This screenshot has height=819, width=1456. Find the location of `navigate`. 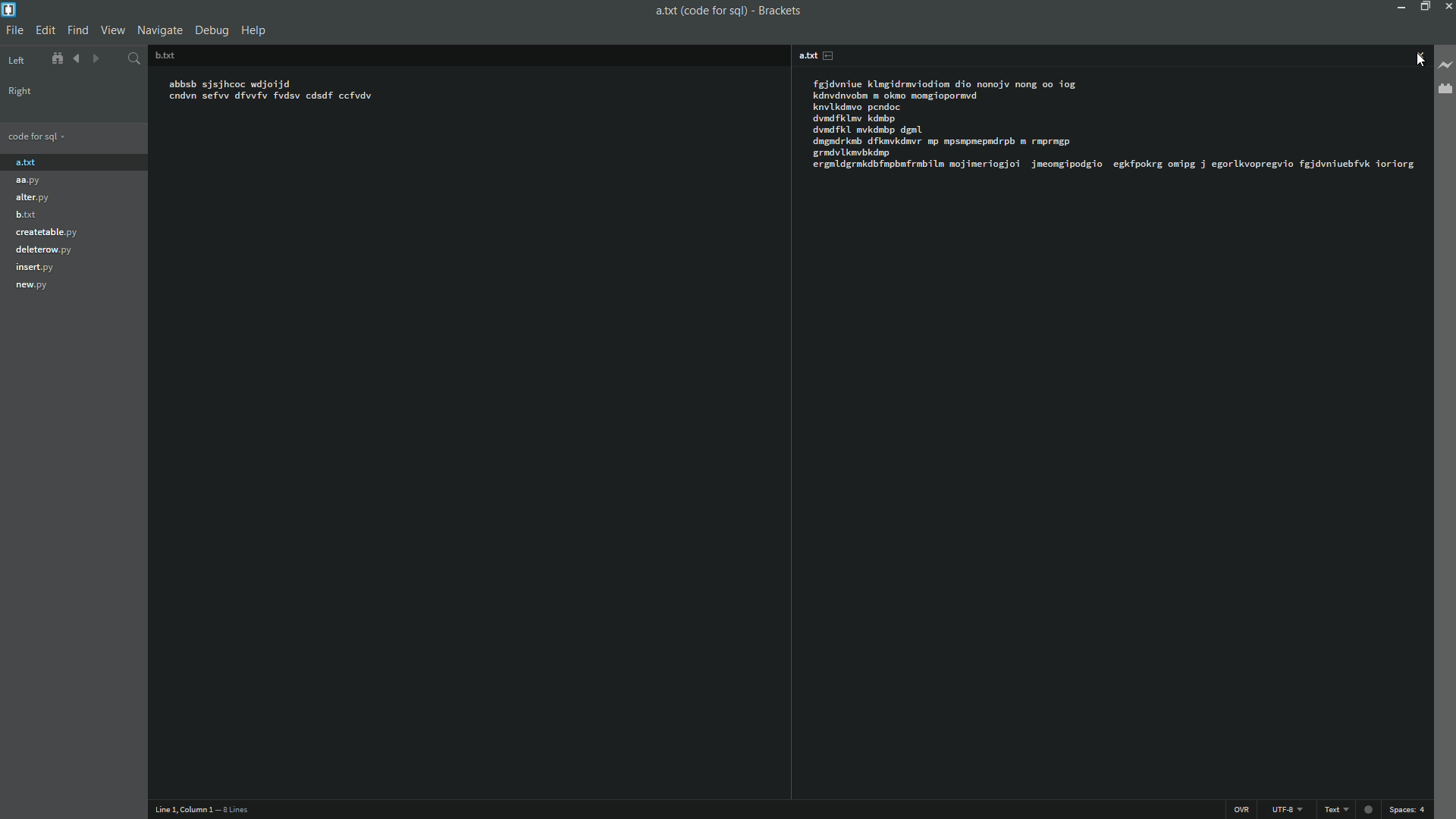

navigate is located at coordinates (158, 30).